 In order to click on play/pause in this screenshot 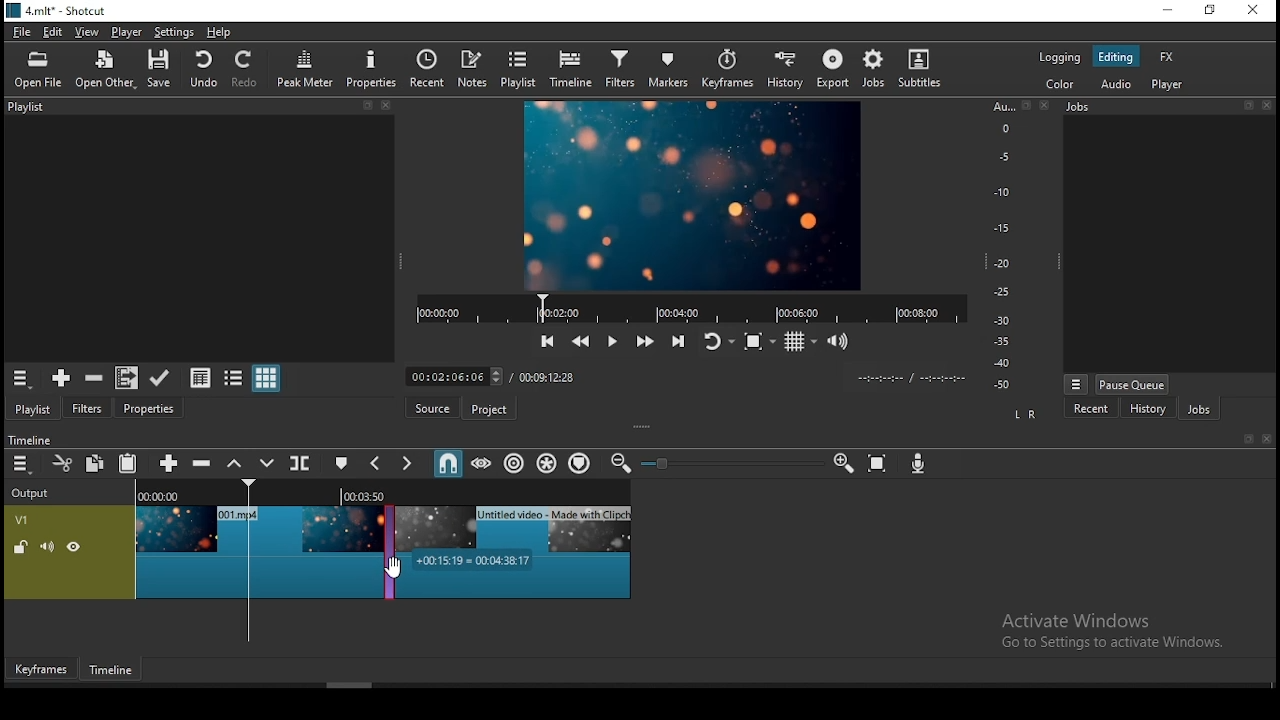, I will do `click(613, 338)`.